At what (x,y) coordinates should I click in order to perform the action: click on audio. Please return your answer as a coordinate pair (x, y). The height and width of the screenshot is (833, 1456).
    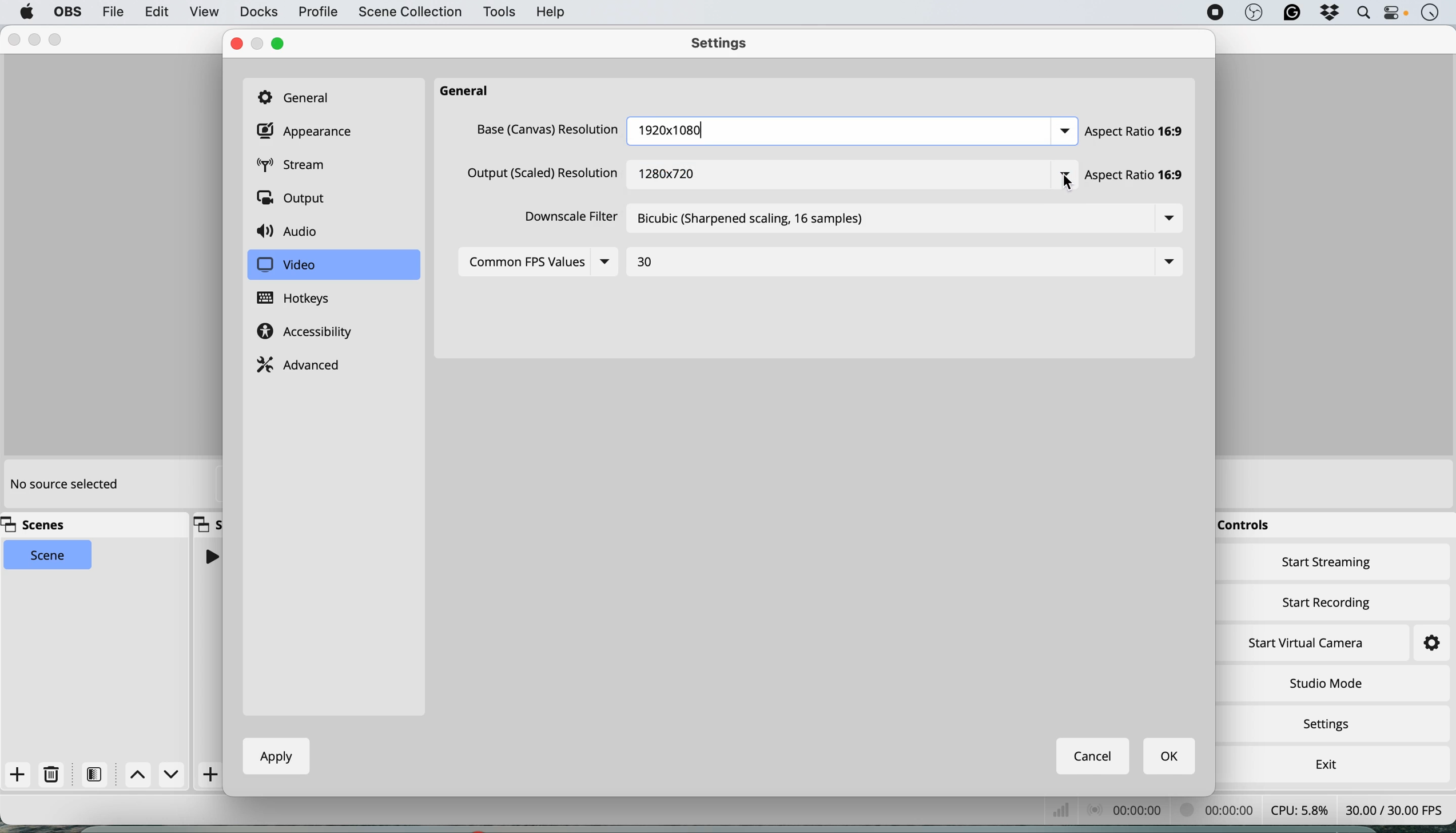
    Looking at the image, I should click on (292, 232).